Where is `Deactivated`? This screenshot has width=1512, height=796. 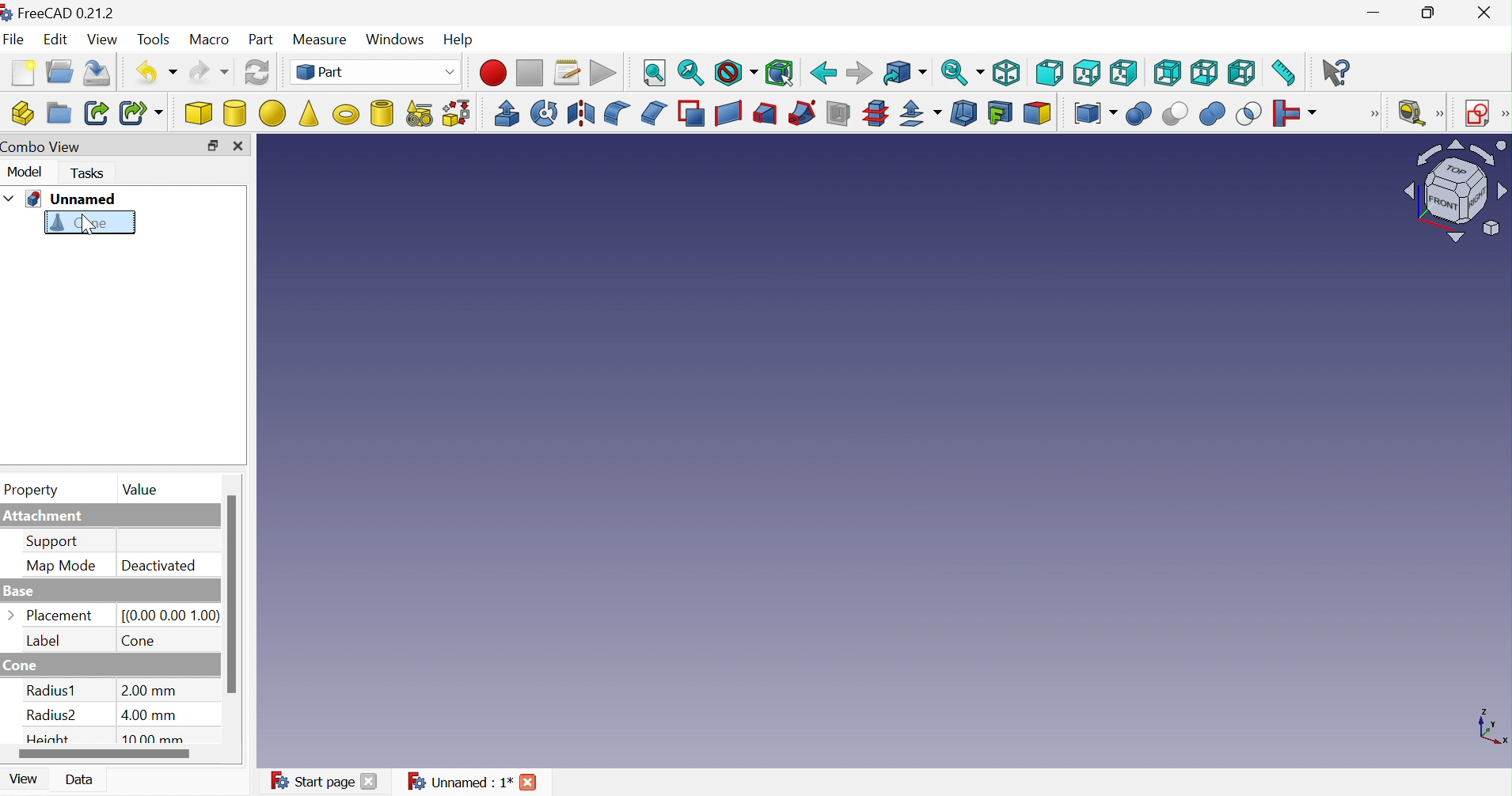
Deactivated is located at coordinates (158, 565).